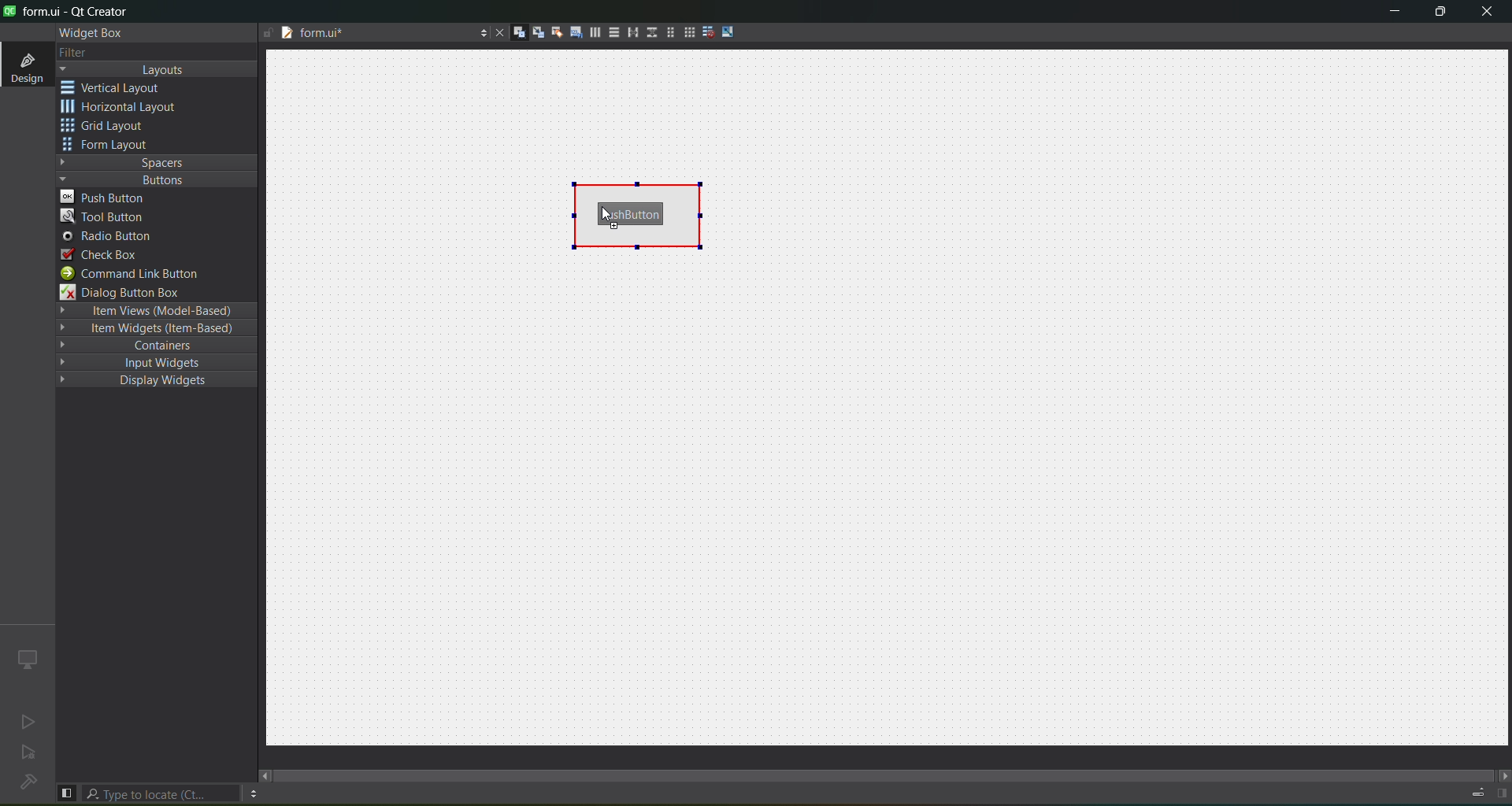 This screenshot has width=1512, height=806. What do you see at coordinates (650, 31) in the screenshot?
I see `vertical splitter` at bounding box center [650, 31].